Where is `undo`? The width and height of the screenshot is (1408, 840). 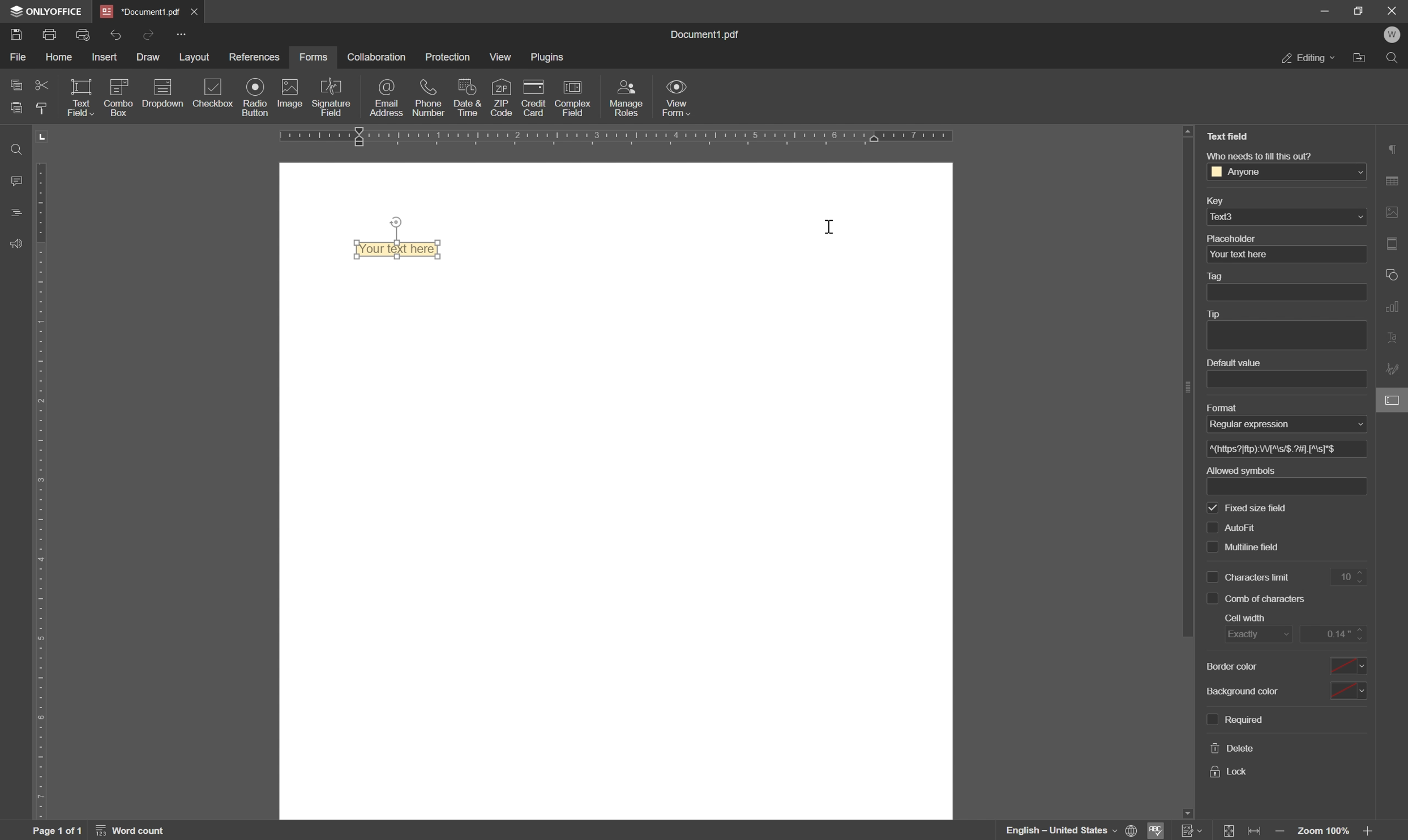
undo is located at coordinates (115, 34).